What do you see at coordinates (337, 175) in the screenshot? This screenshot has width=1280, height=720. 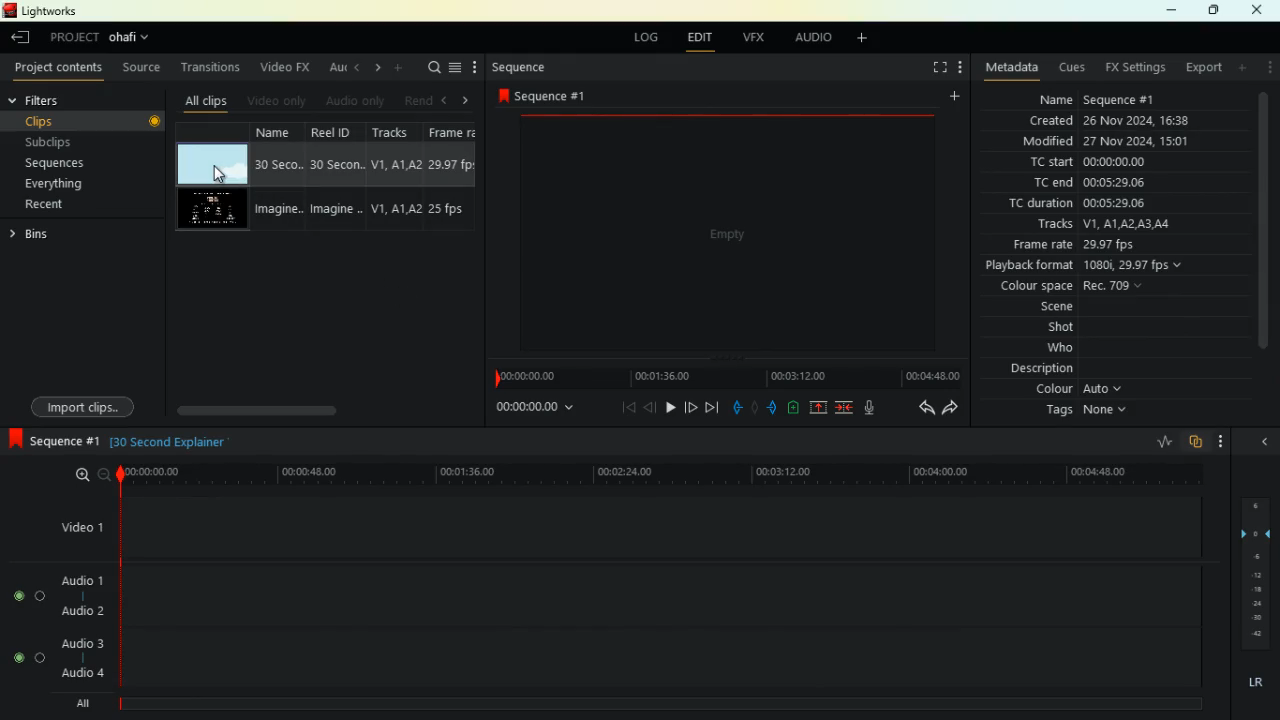 I see `reel id` at bounding box center [337, 175].